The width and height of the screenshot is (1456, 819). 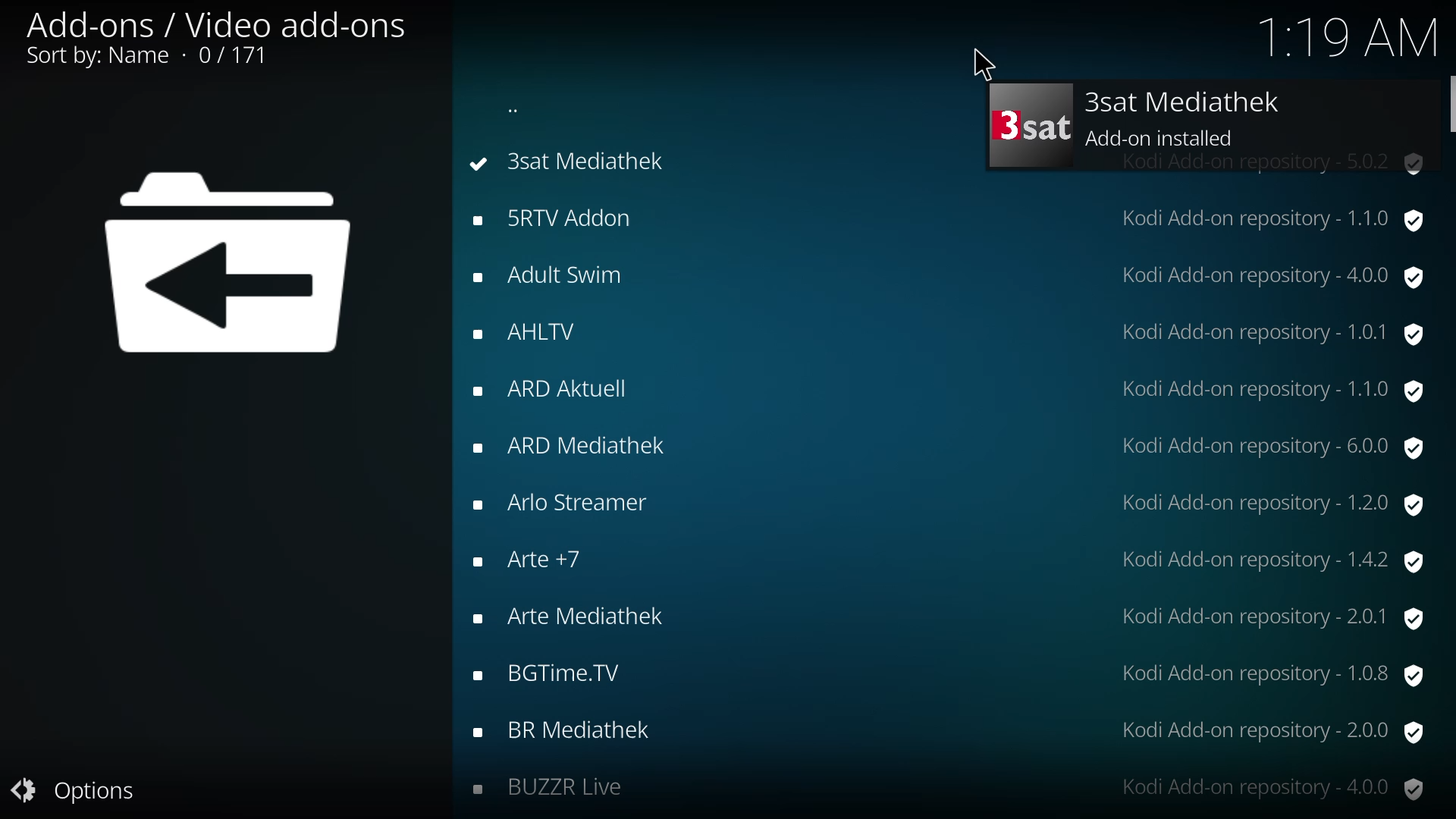 What do you see at coordinates (570, 619) in the screenshot?
I see `add-ons` at bounding box center [570, 619].